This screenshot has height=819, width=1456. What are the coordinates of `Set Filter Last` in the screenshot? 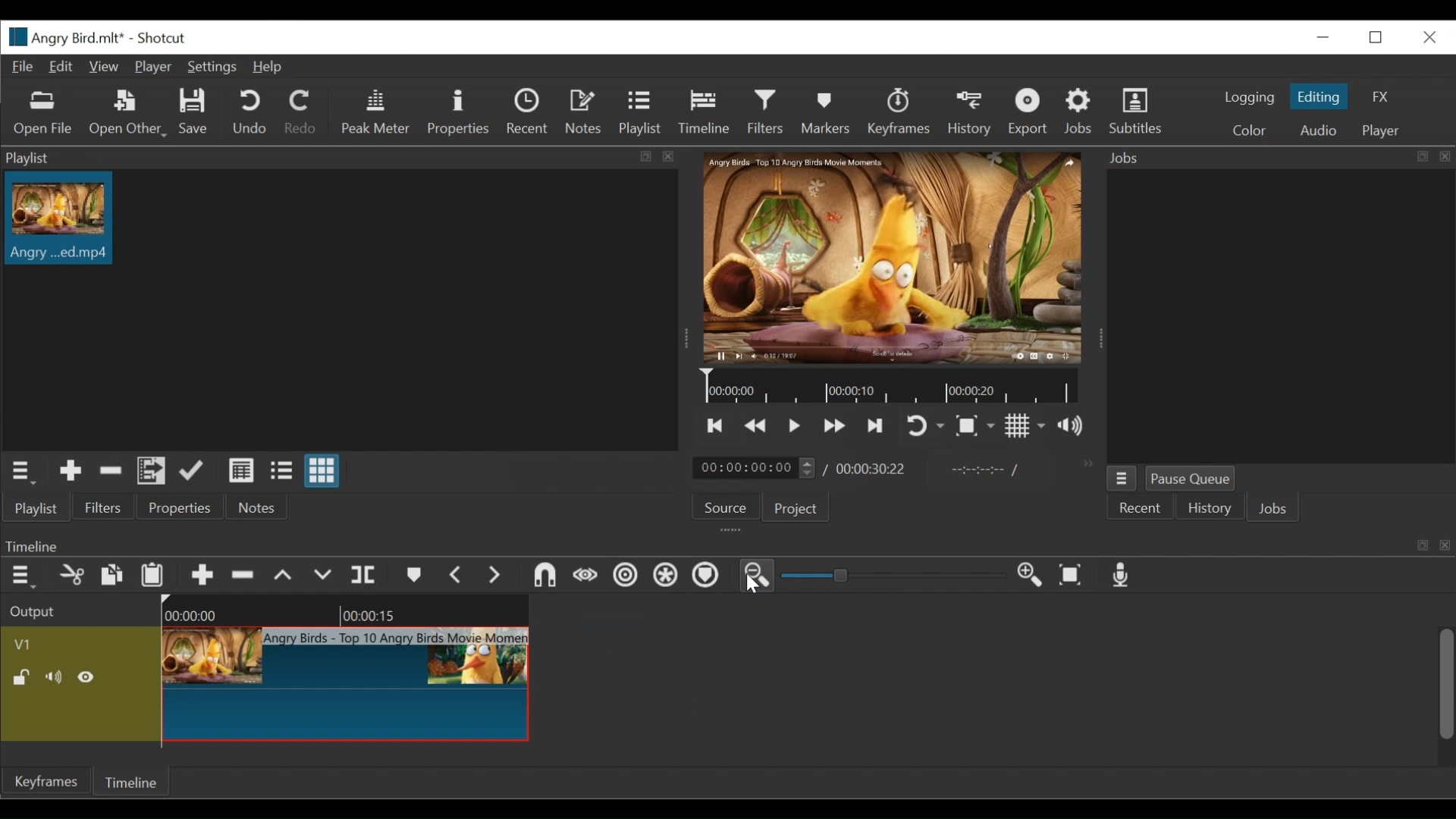 It's located at (539, 576).